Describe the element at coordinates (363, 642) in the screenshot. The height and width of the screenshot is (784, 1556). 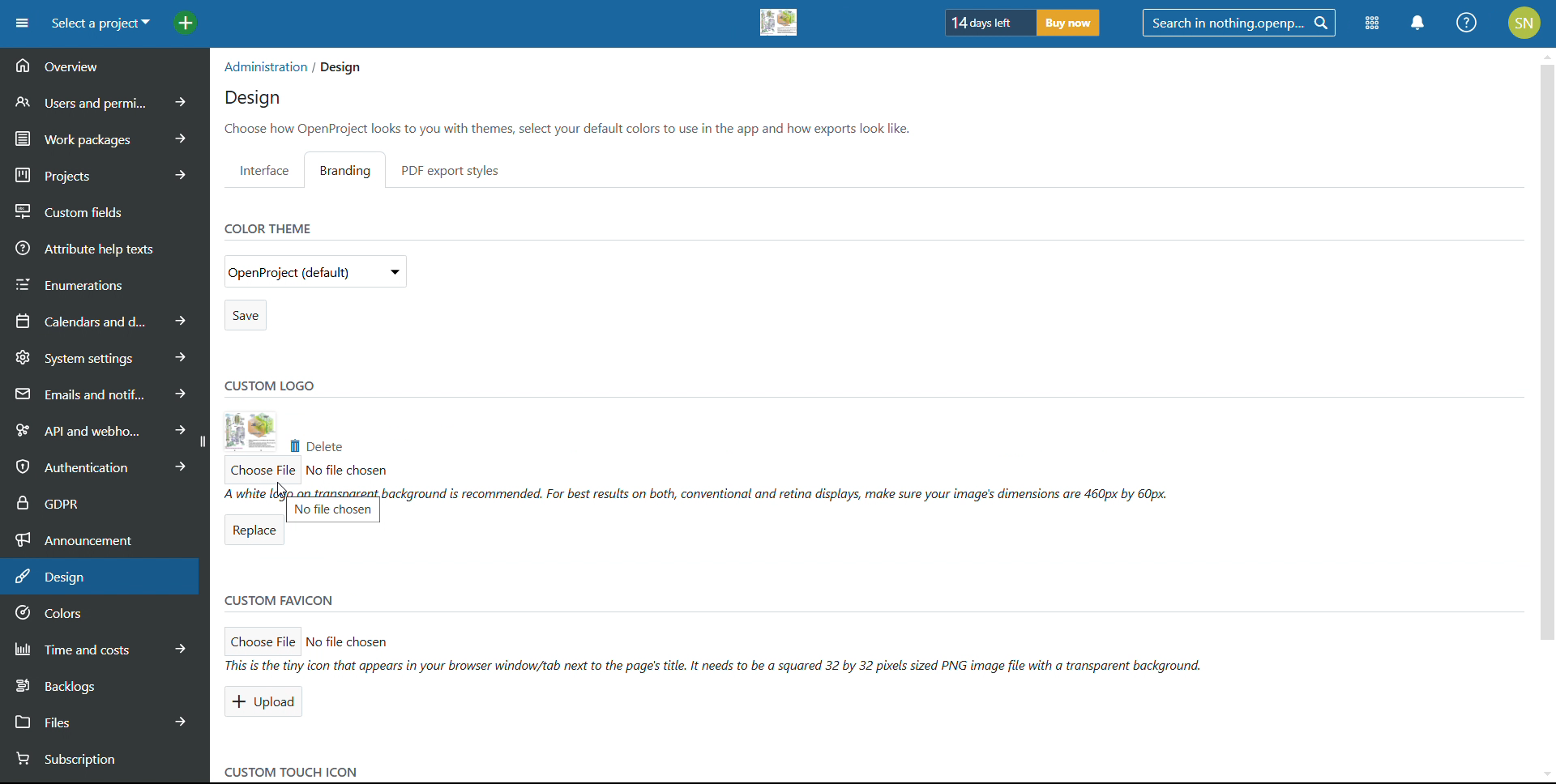
I see `> No file chosen` at that location.